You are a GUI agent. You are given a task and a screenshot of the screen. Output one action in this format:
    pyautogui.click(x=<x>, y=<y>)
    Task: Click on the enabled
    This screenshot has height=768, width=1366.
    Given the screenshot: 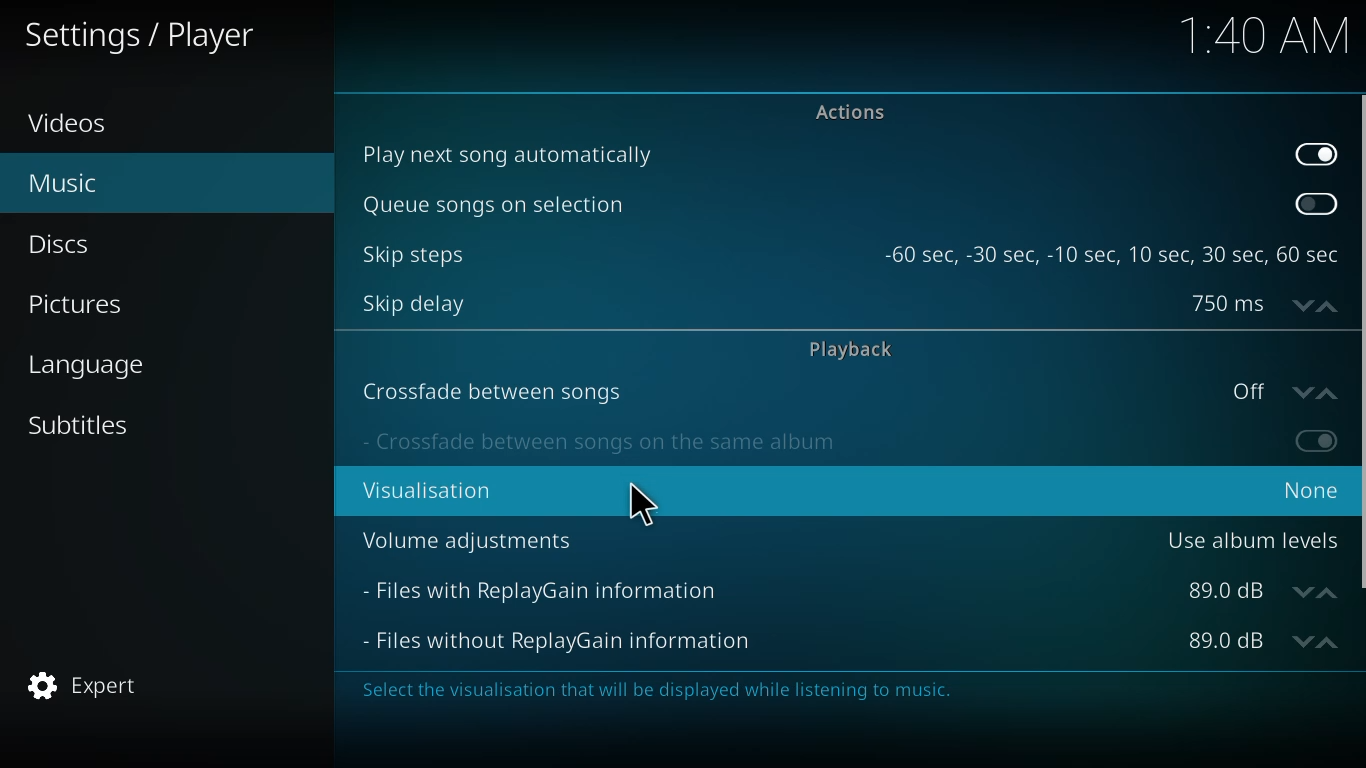 What is the action you would take?
    pyautogui.click(x=1315, y=154)
    